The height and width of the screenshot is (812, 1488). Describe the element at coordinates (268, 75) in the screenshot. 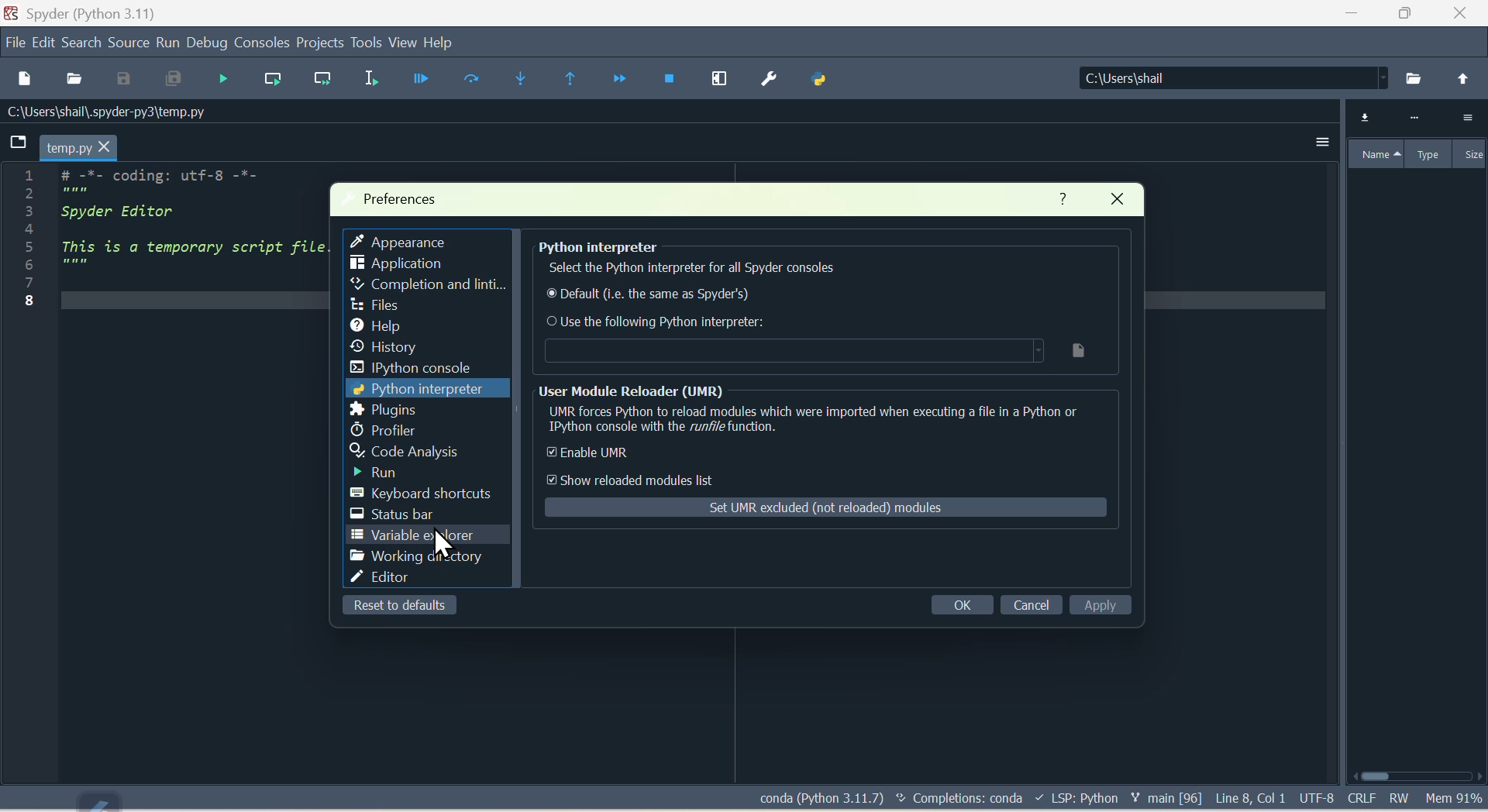

I see `Run current line` at that location.